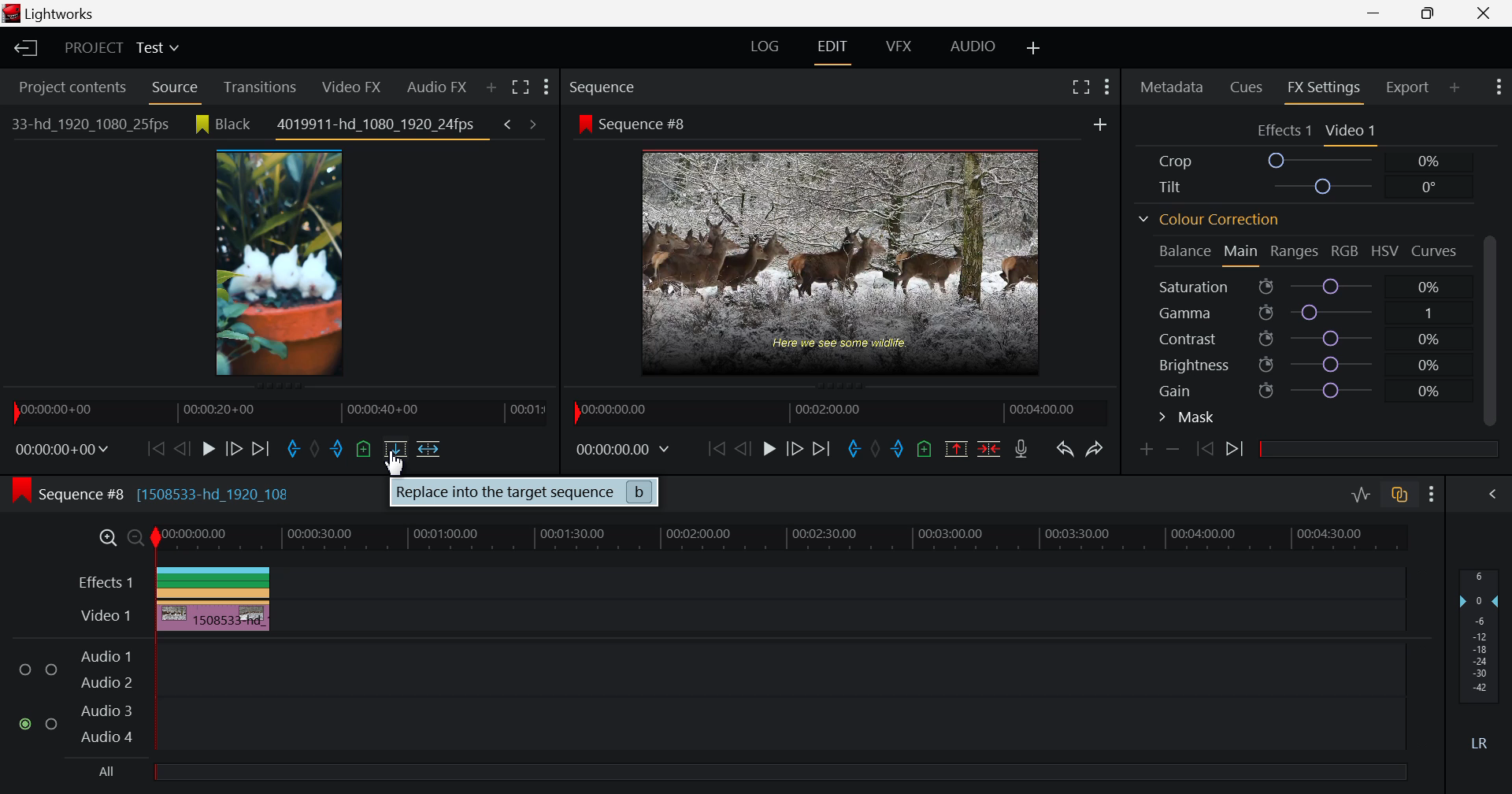 This screenshot has height=794, width=1512. What do you see at coordinates (1452, 88) in the screenshot?
I see `Add Panel` at bounding box center [1452, 88].